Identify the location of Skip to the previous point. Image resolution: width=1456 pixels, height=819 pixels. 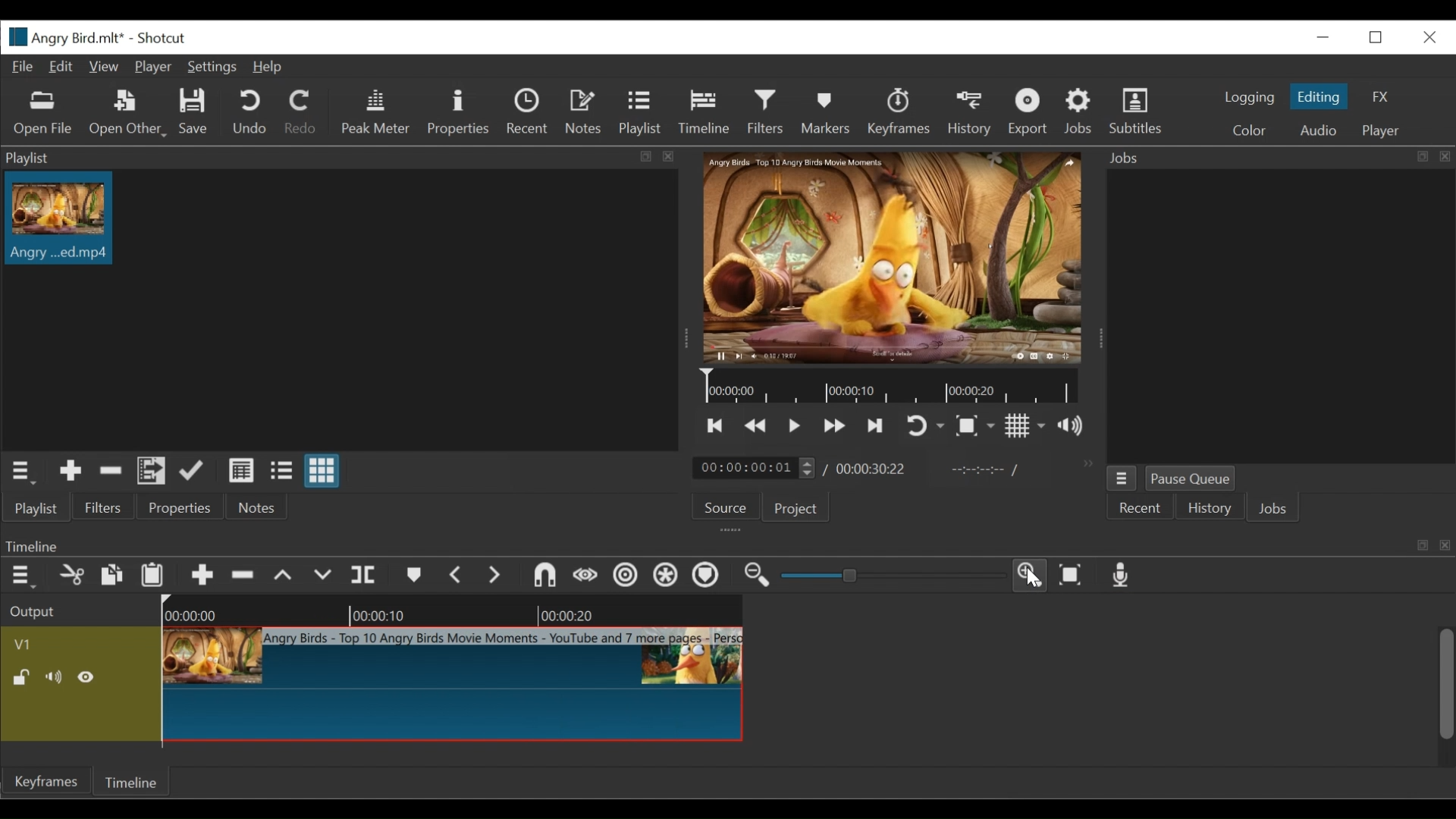
(717, 426).